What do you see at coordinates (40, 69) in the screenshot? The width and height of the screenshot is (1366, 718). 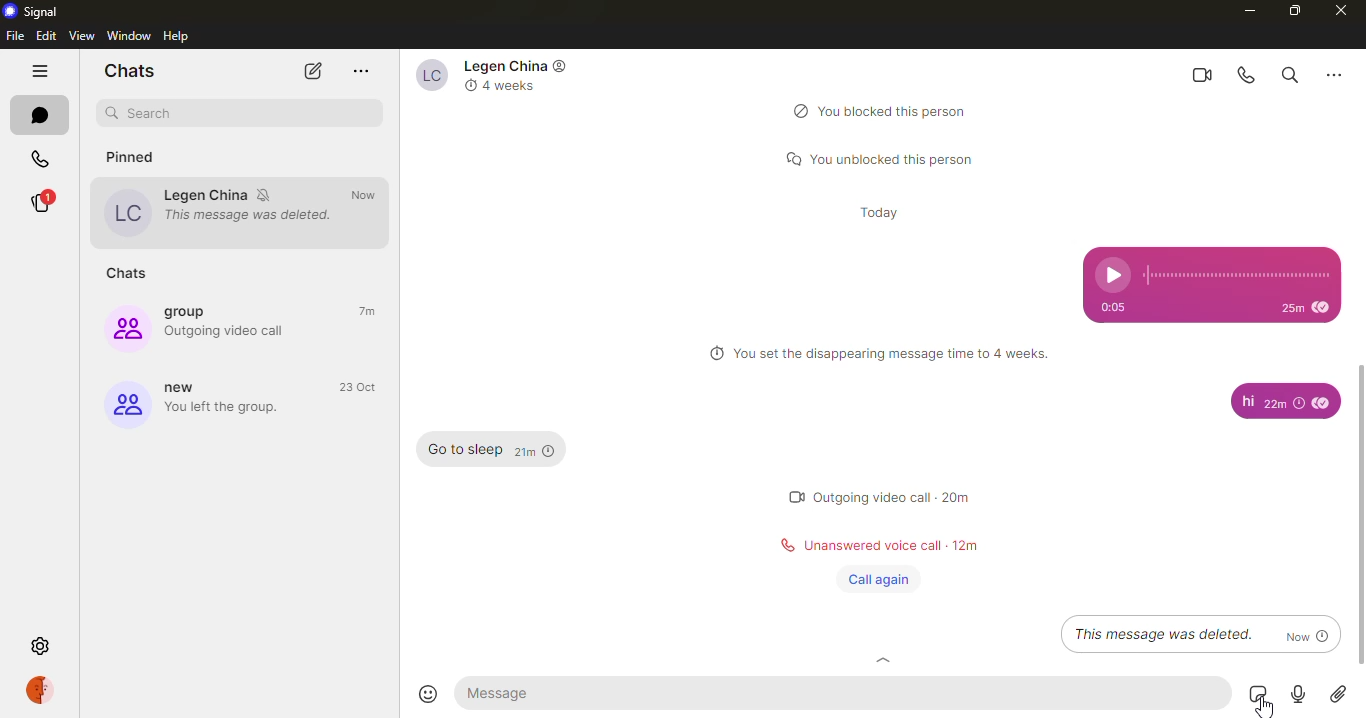 I see `hide tabs` at bounding box center [40, 69].